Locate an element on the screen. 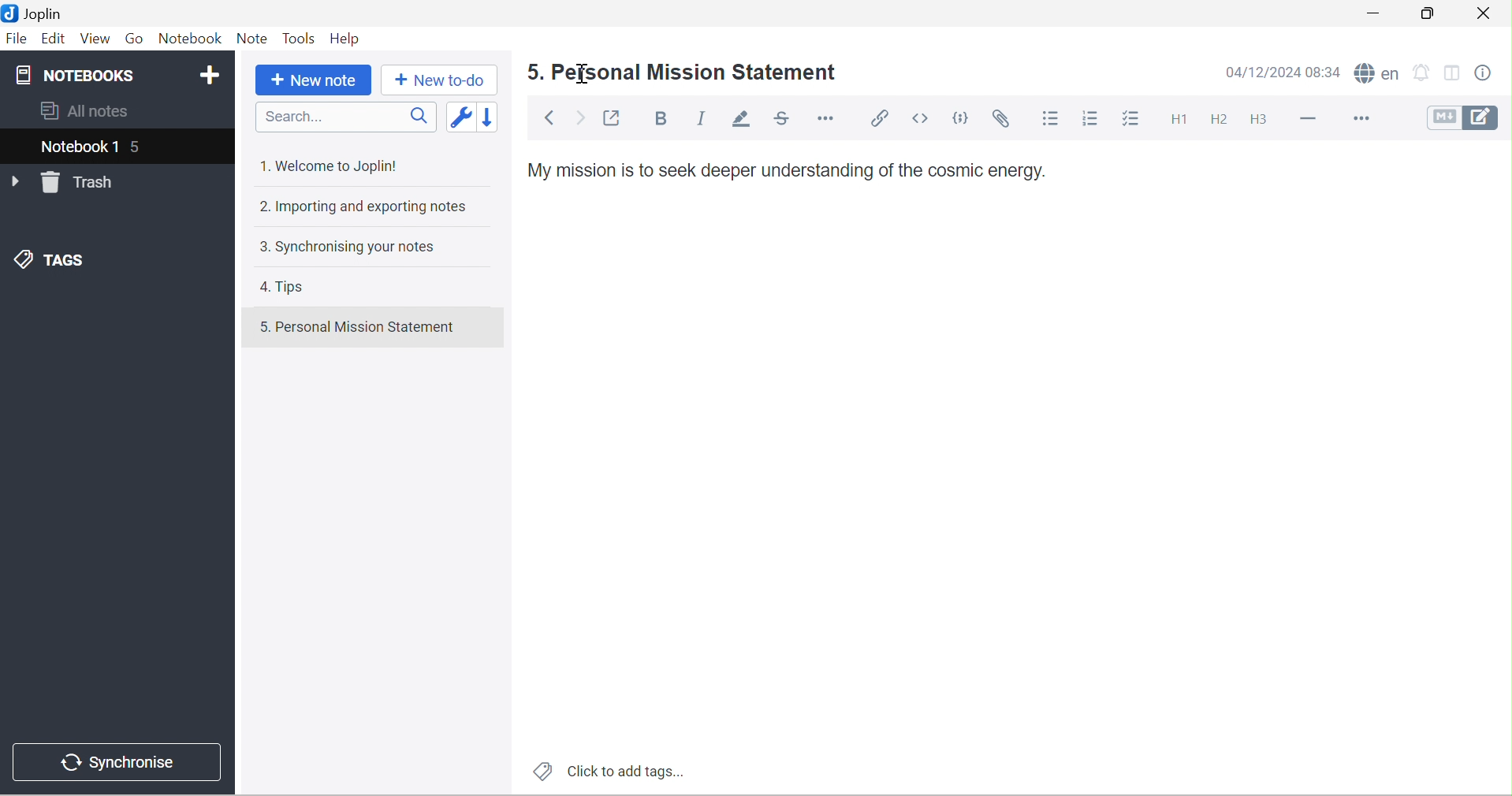 The width and height of the screenshot is (1512, 796). My mission is to seek deeper understanding of the cosmic energy. is located at coordinates (788, 170).